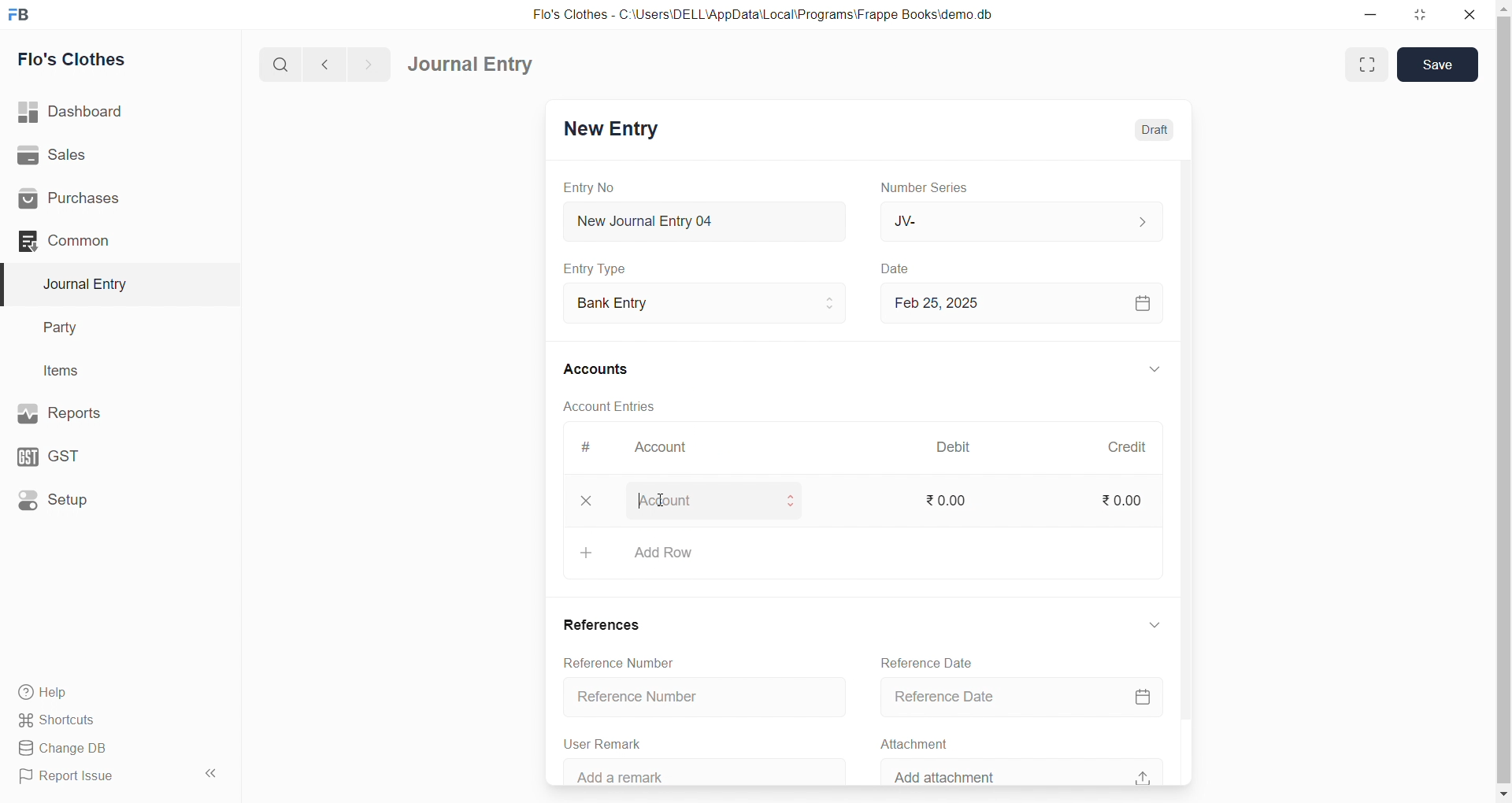  Describe the element at coordinates (614, 368) in the screenshot. I see `Accounts` at that location.